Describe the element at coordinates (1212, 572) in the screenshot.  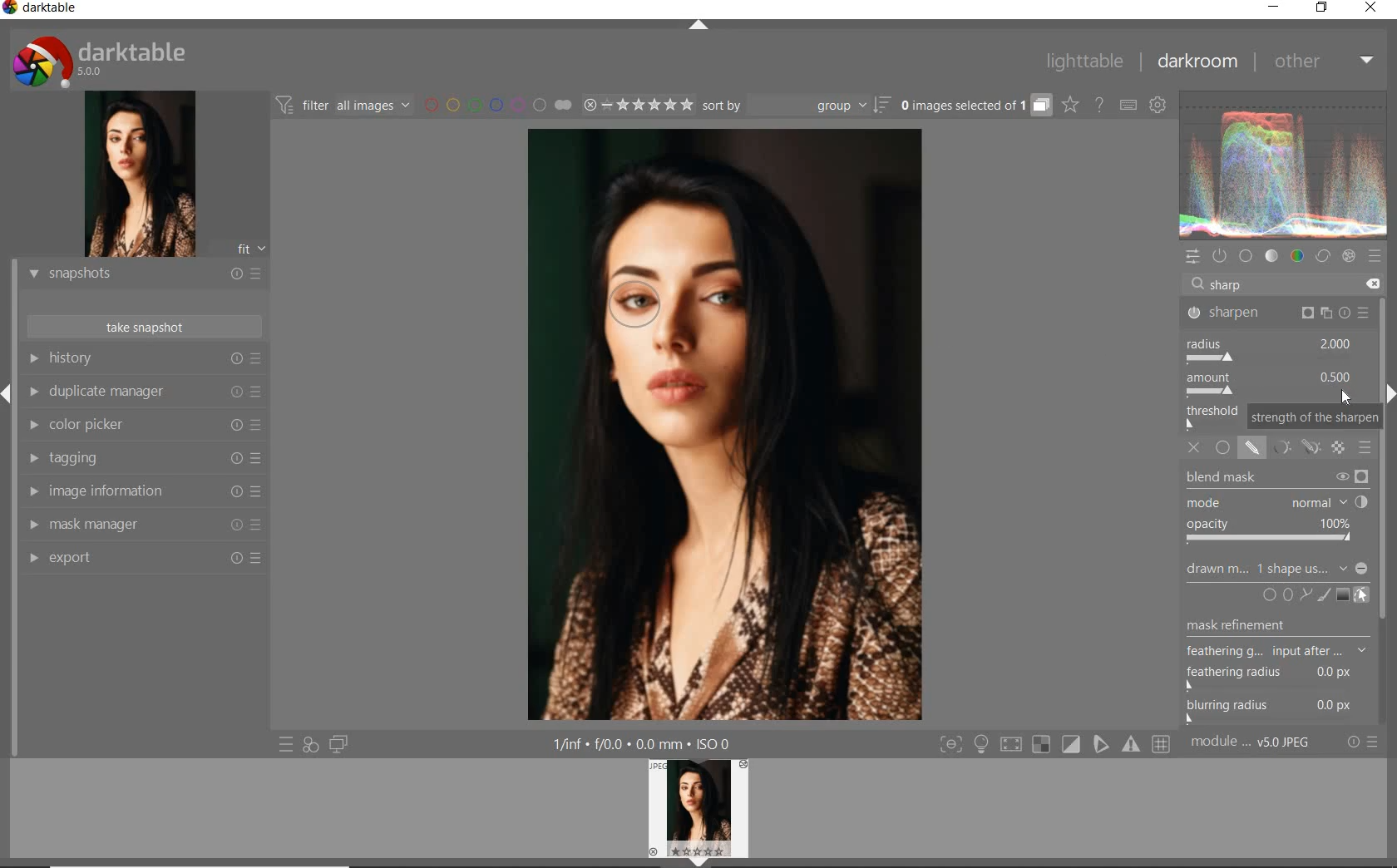
I see `drawn mask` at that location.